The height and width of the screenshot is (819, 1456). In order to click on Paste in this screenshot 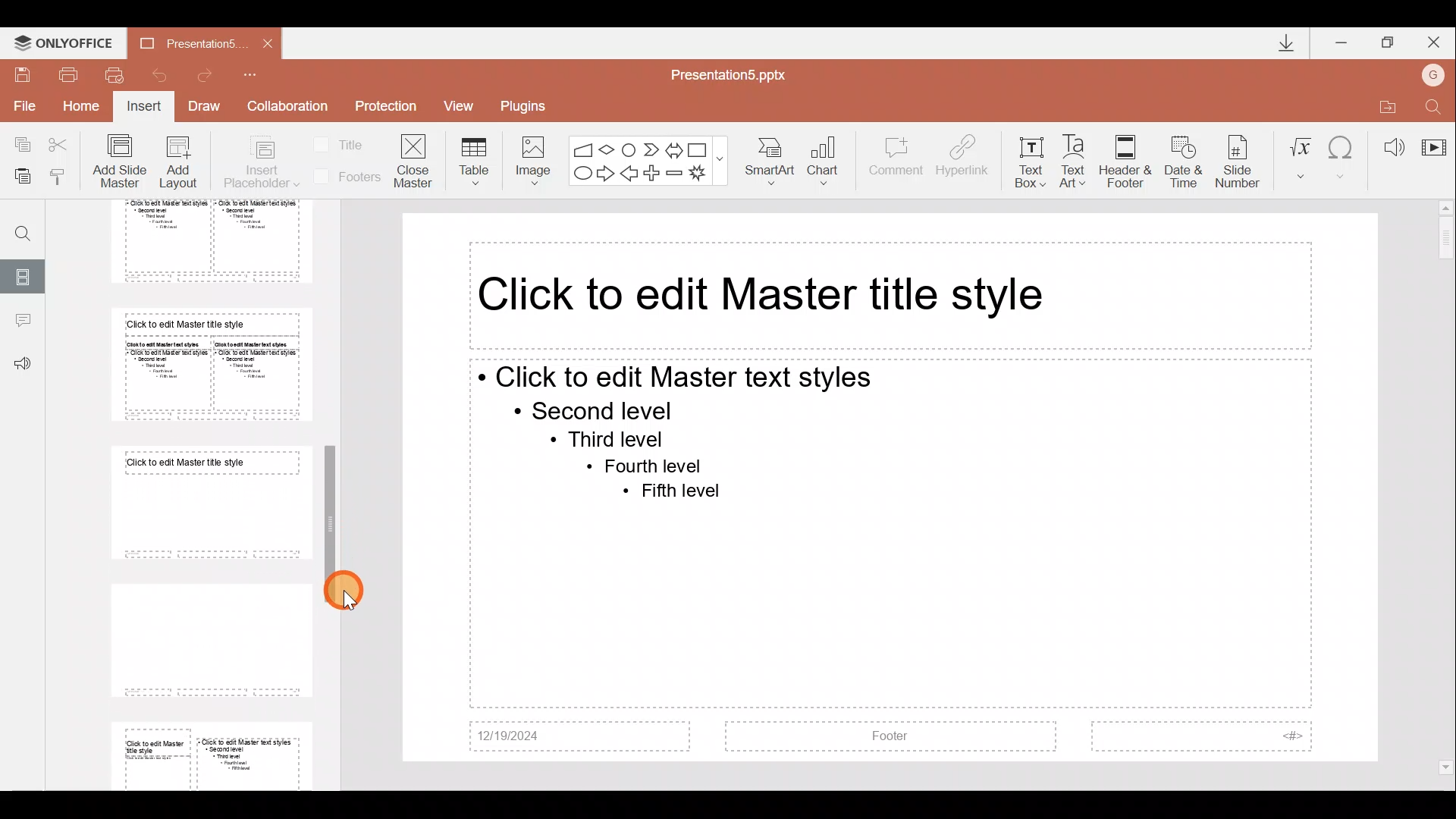, I will do `click(22, 178)`.